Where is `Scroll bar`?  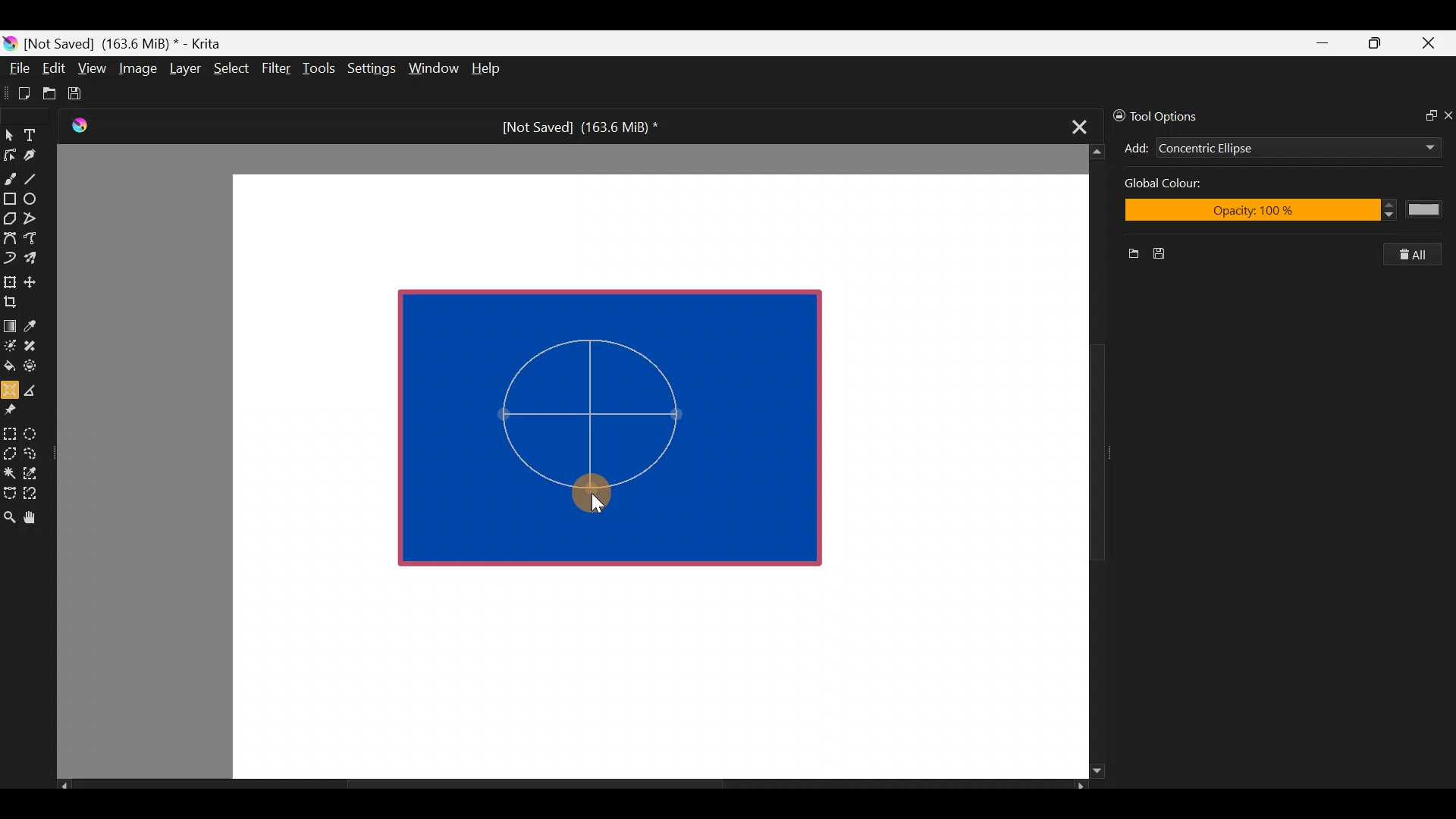
Scroll bar is located at coordinates (572, 786).